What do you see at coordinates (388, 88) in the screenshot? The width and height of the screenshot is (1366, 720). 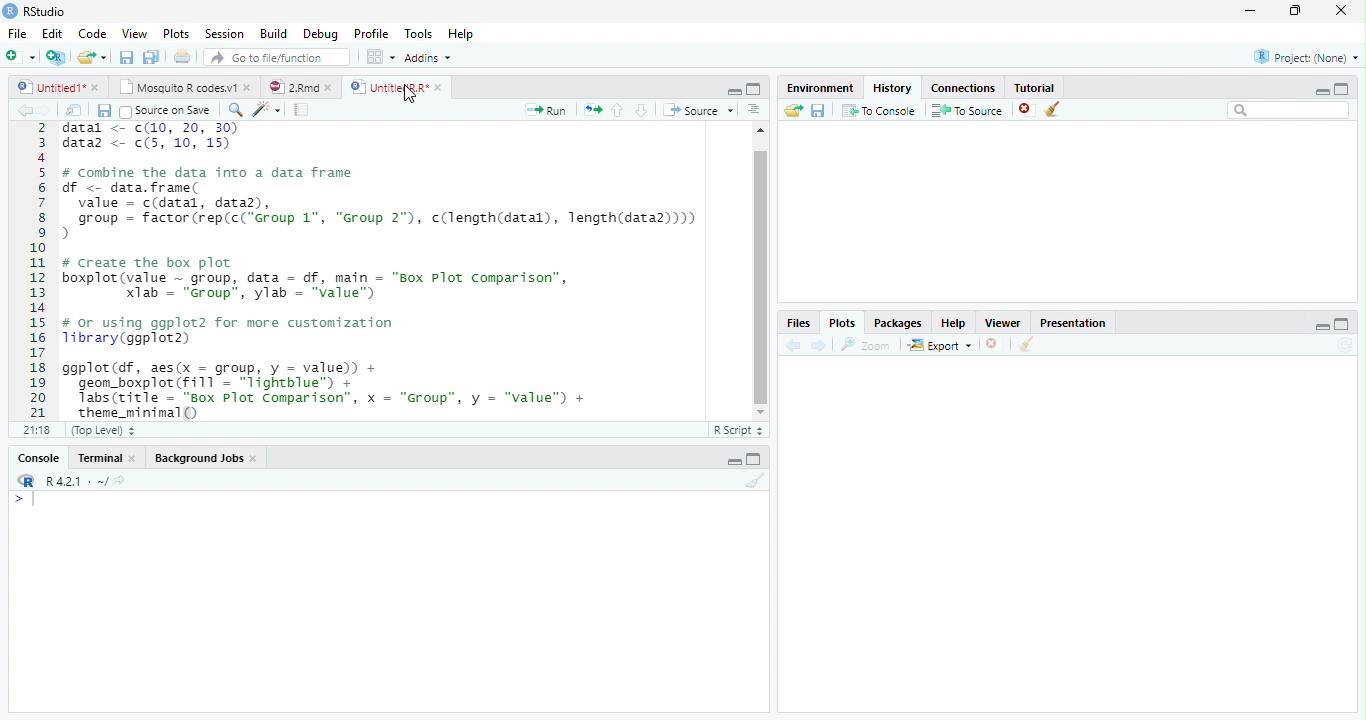 I see `UntitledR.R*` at bounding box center [388, 88].